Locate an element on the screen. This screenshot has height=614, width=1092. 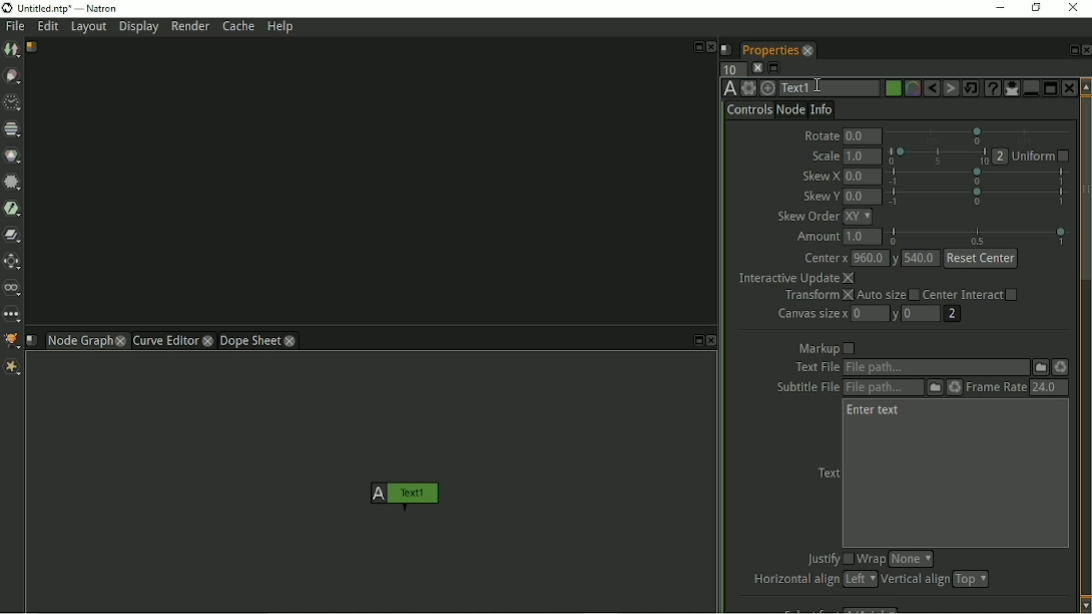
Frame Rate is located at coordinates (995, 387).